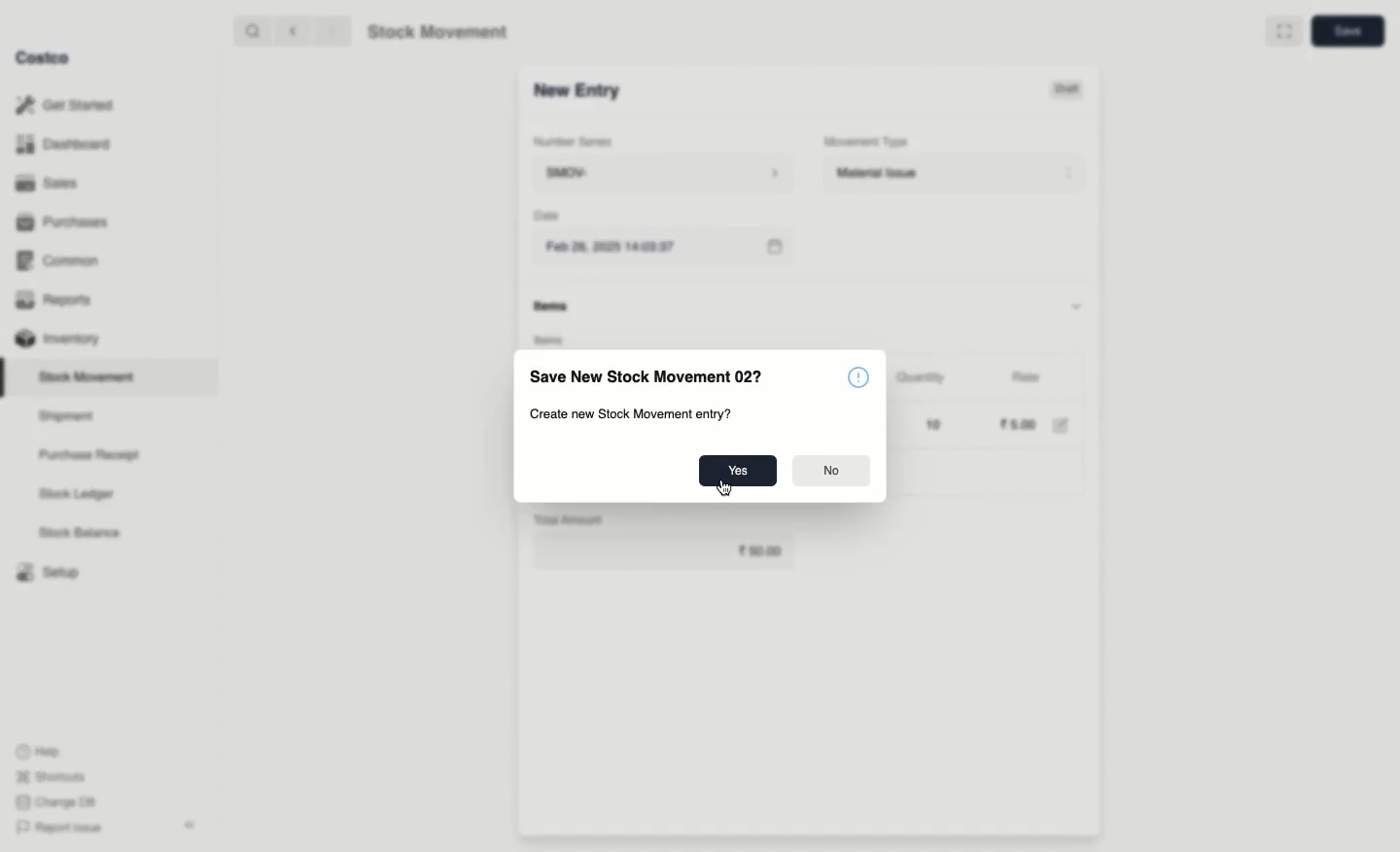  What do you see at coordinates (663, 172) in the screenshot?
I see `SMOV-` at bounding box center [663, 172].